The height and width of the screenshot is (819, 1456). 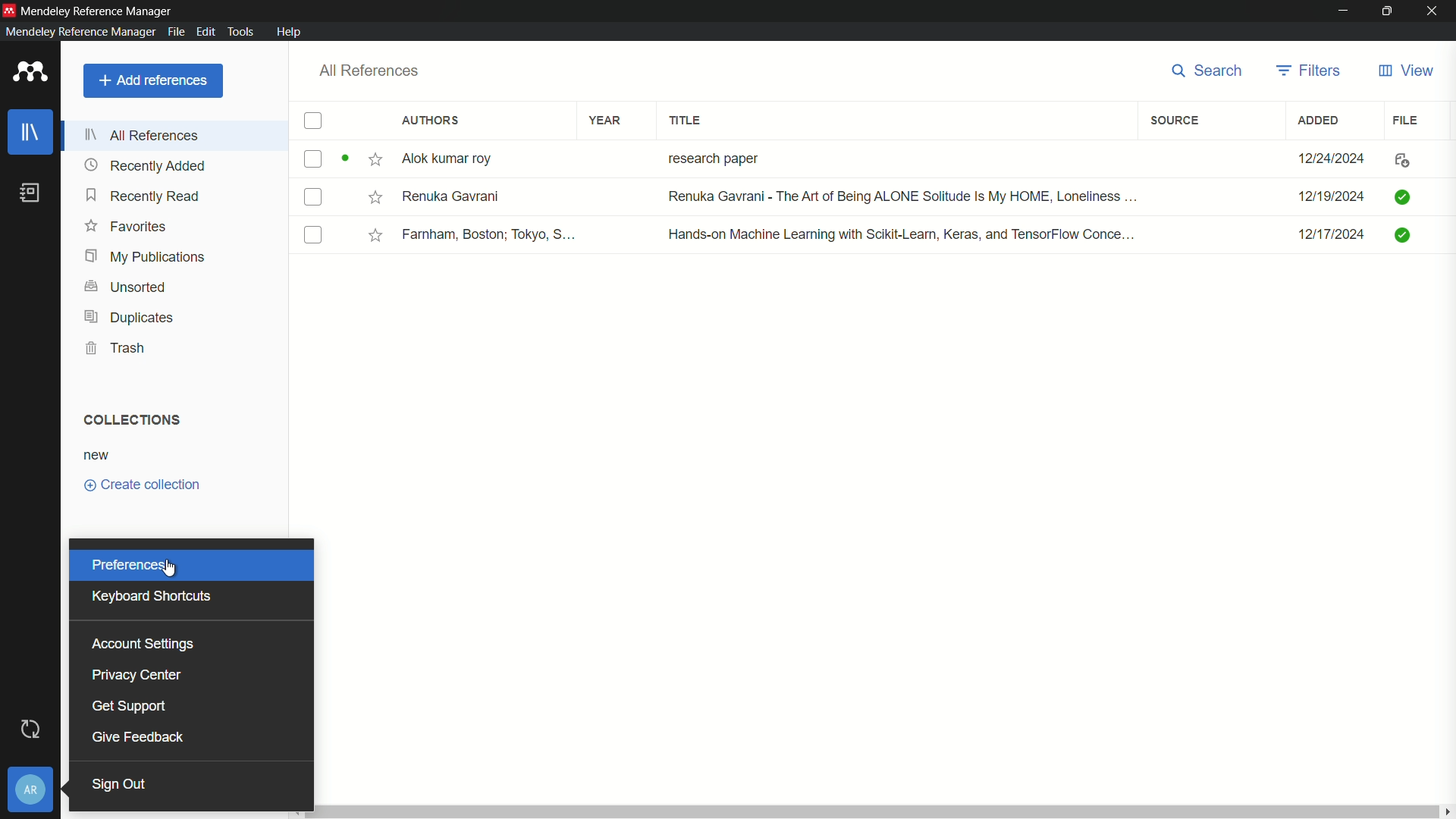 What do you see at coordinates (918, 198) in the screenshot?
I see `book-2` at bounding box center [918, 198].